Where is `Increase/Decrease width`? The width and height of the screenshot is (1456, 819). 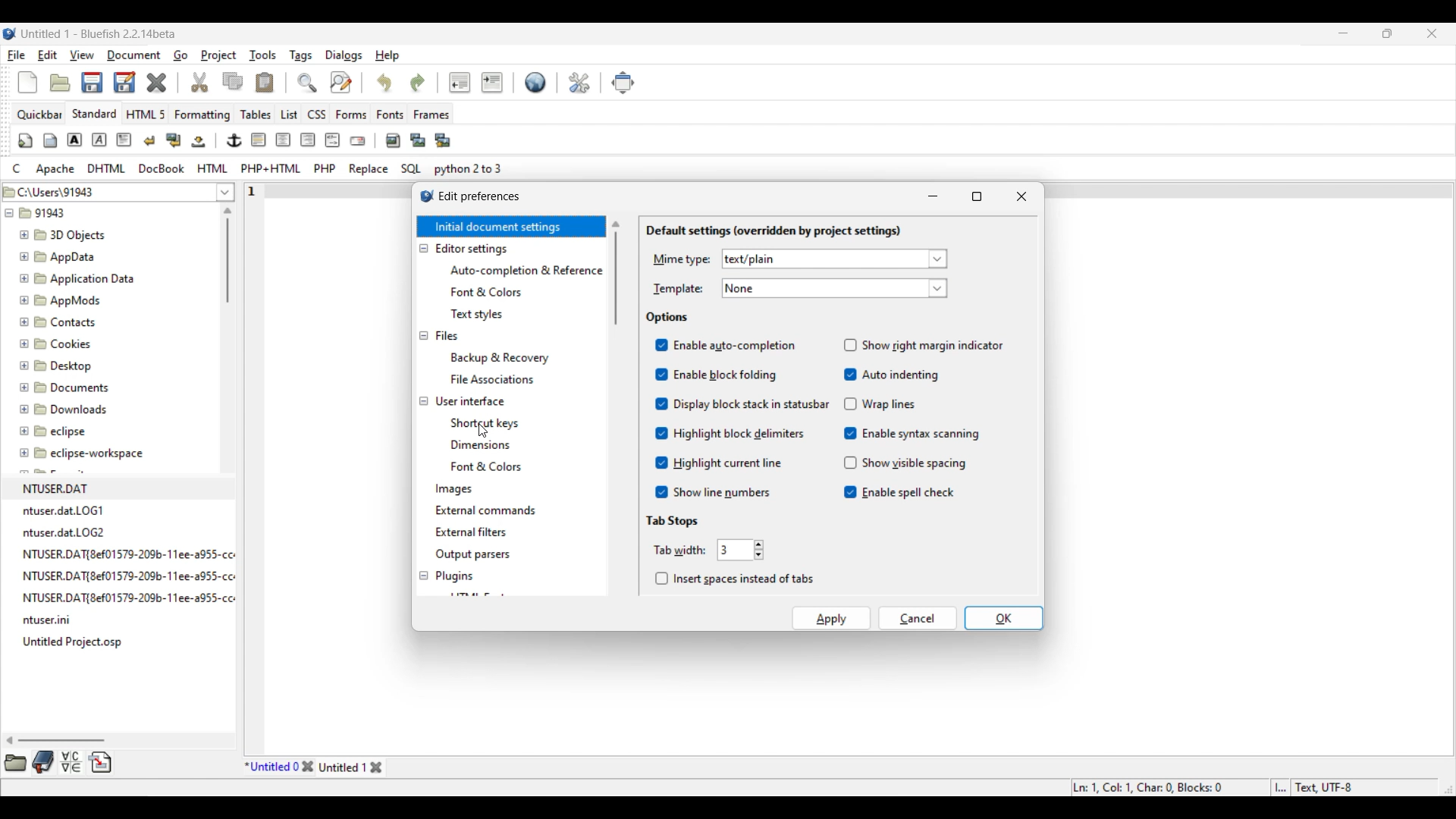 Increase/Decrease width is located at coordinates (759, 550).